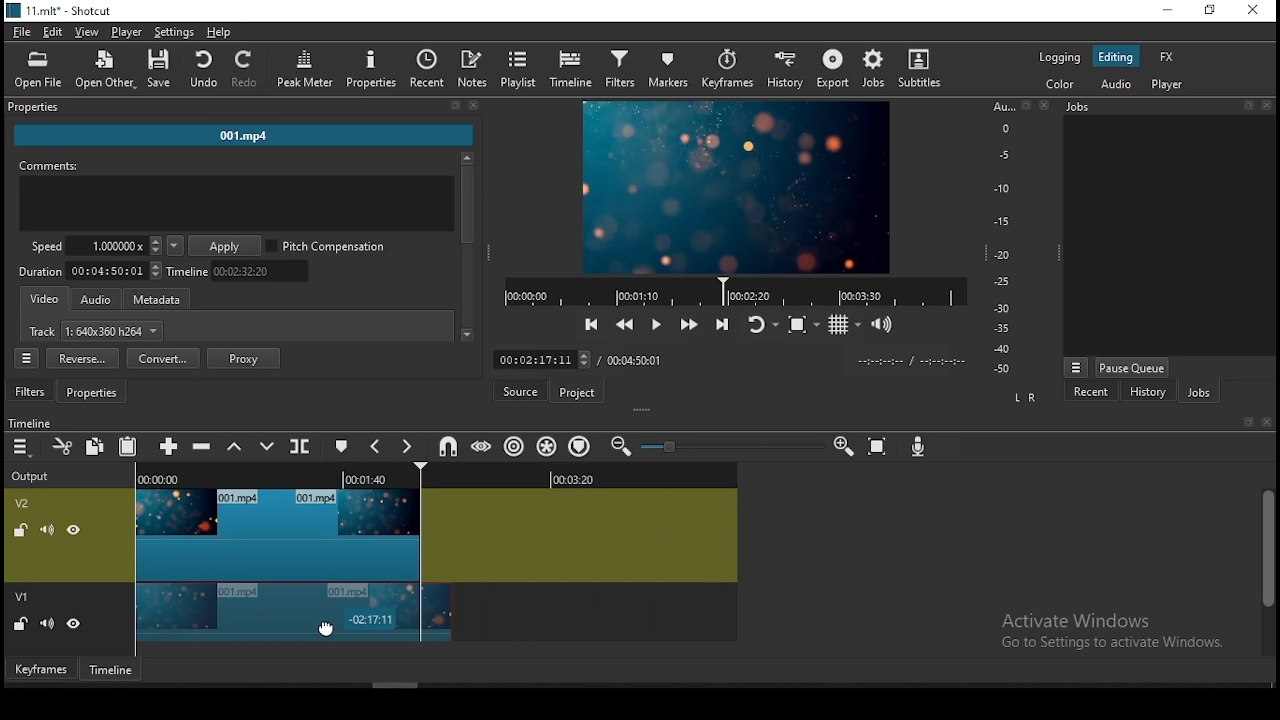 This screenshot has height=720, width=1280. Describe the element at coordinates (245, 138) in the screenshot. I see `001.MP4` at that location.